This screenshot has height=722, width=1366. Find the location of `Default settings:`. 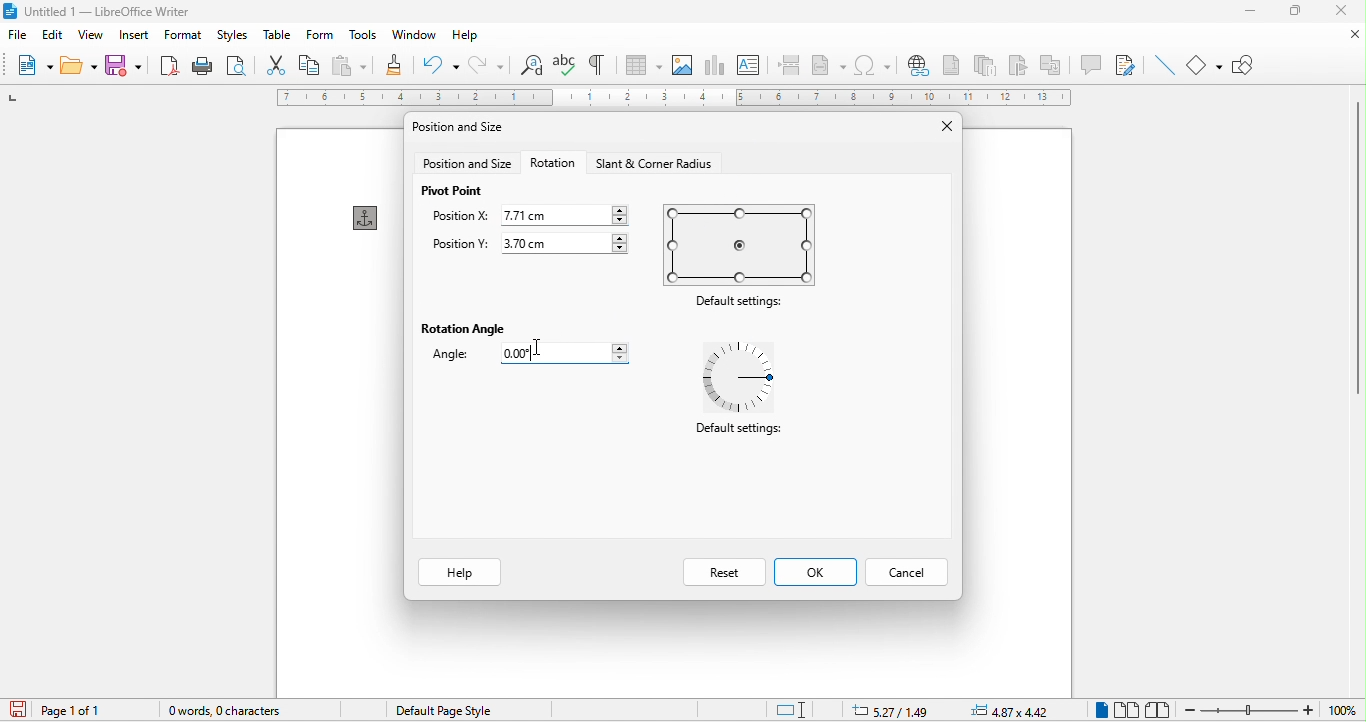

Default settings: is located at coordinates (736, 430).